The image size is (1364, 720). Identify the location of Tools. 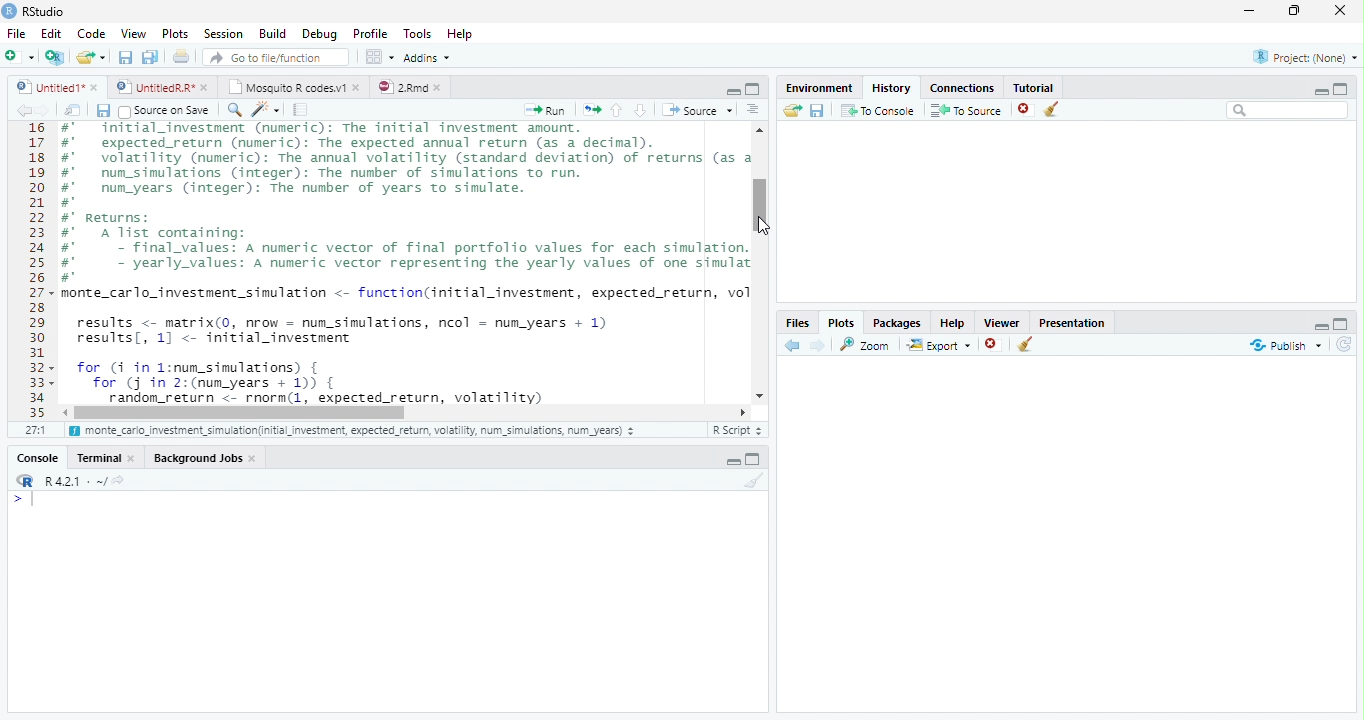
(416, 34).